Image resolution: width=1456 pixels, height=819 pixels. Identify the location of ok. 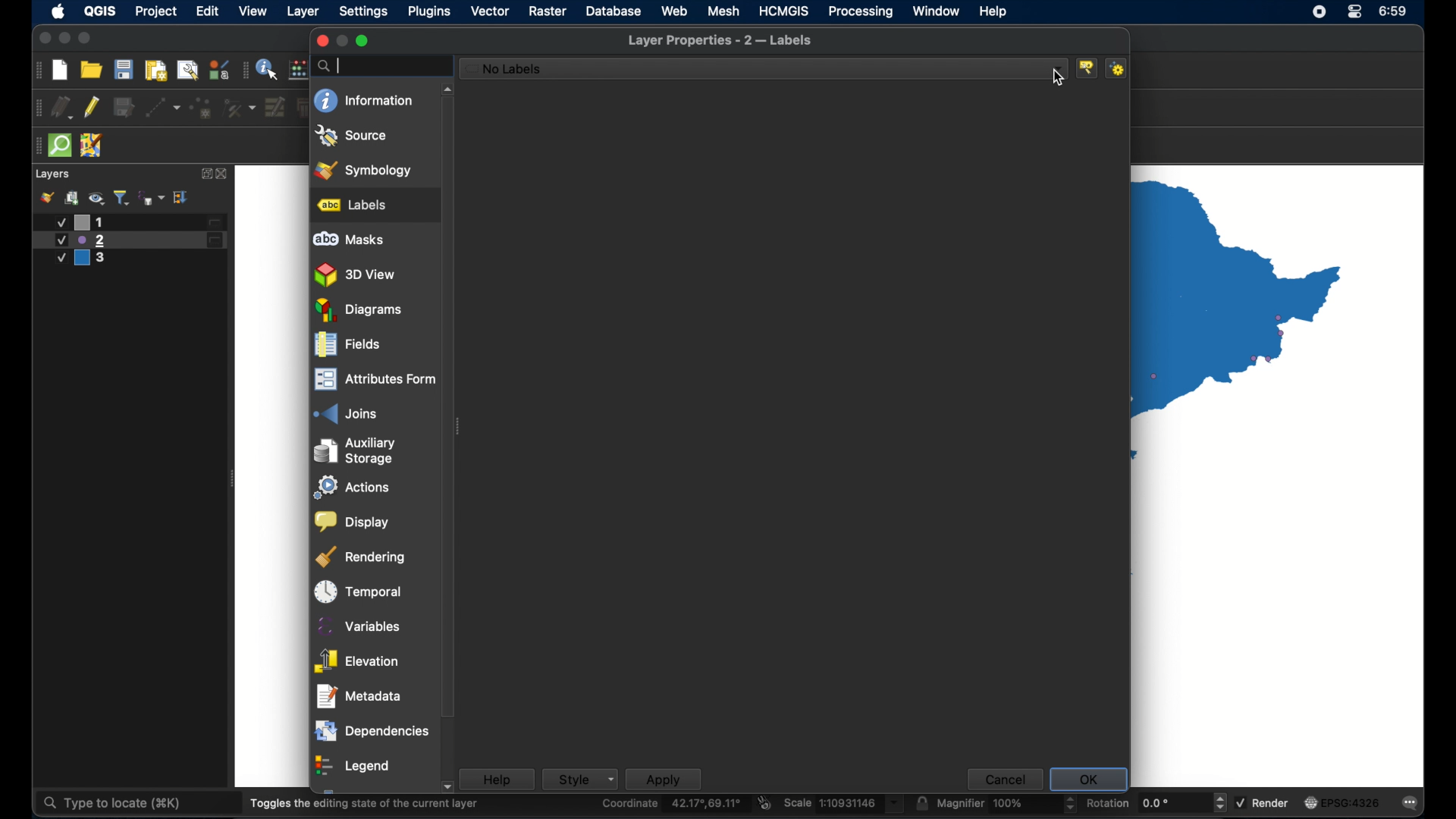
(1088, 780).